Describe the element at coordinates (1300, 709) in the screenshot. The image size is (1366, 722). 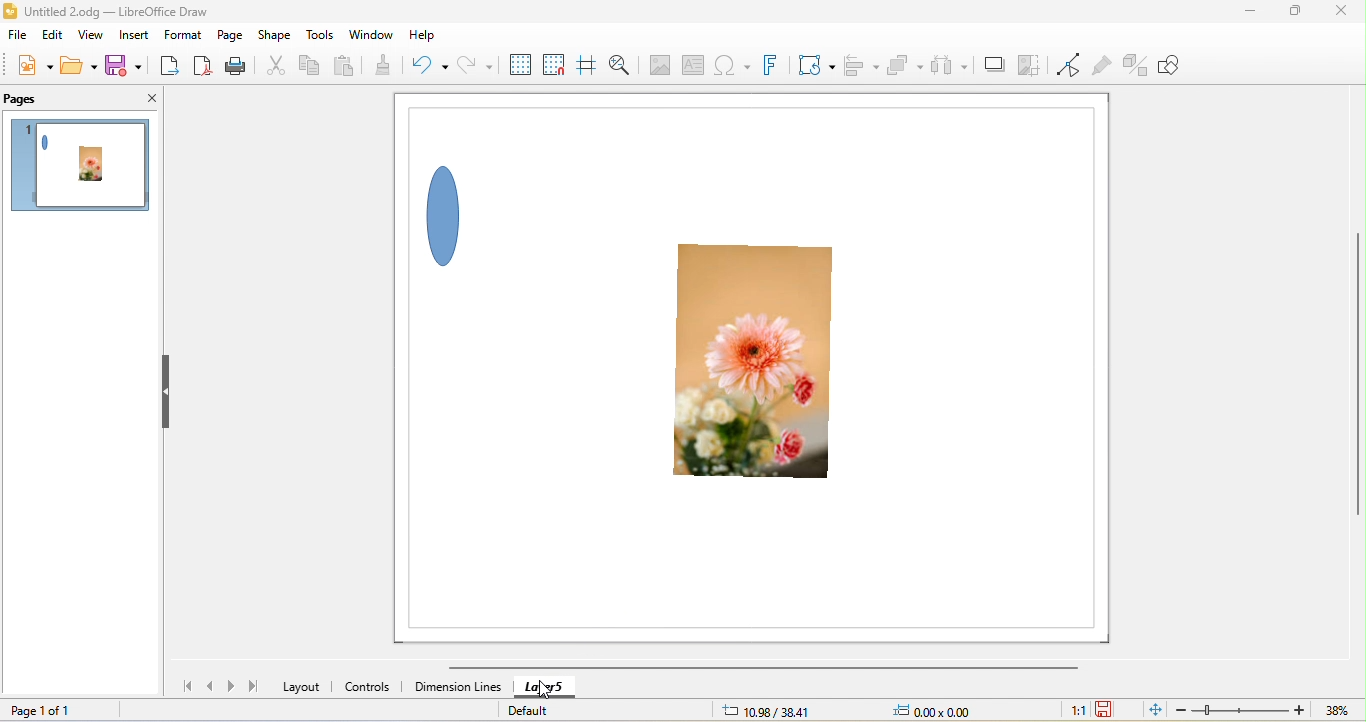
I see `zoom in` at that location.